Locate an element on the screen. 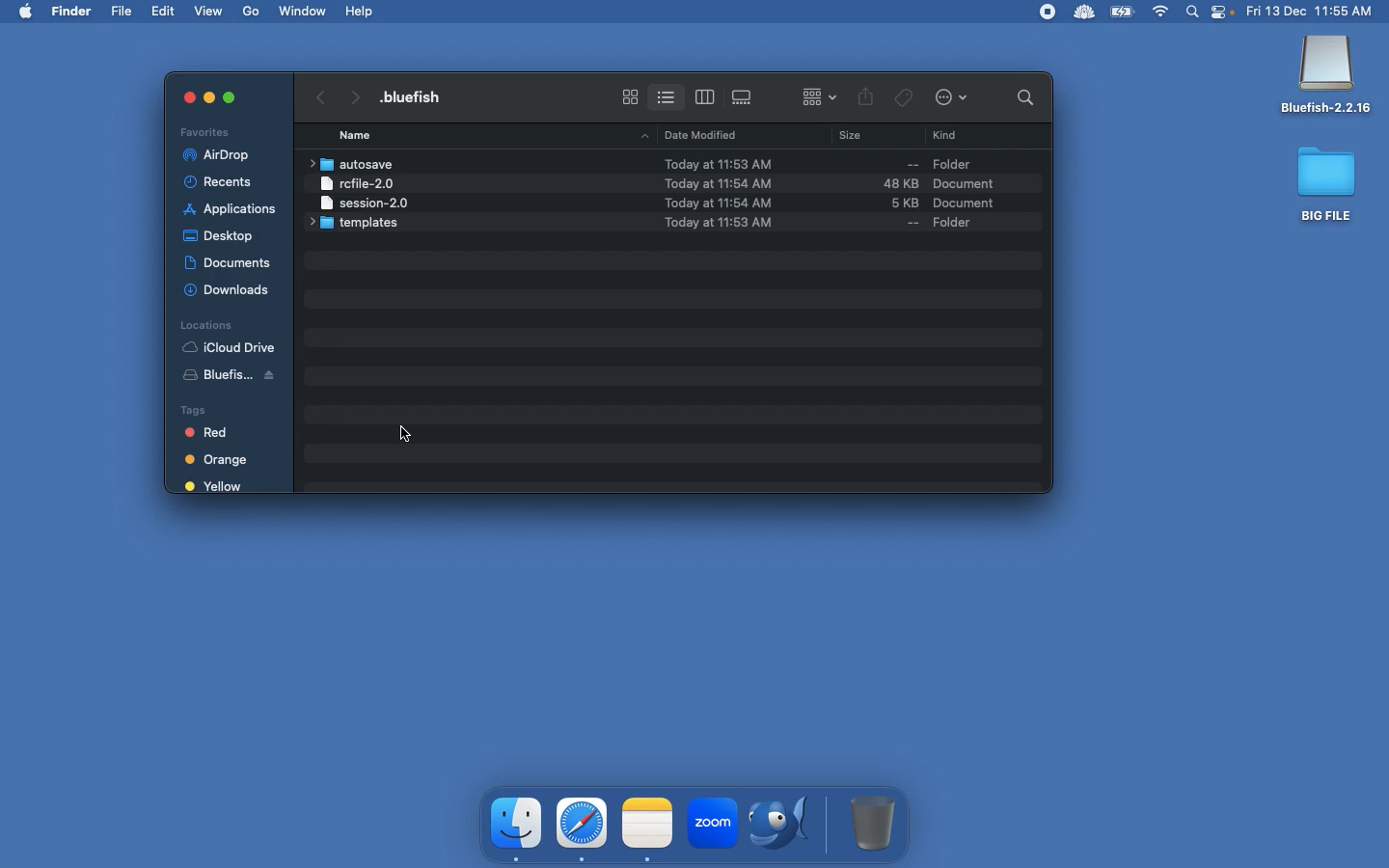 The image size is (1389, 868). Internet is located at coordinates (1161, 13).